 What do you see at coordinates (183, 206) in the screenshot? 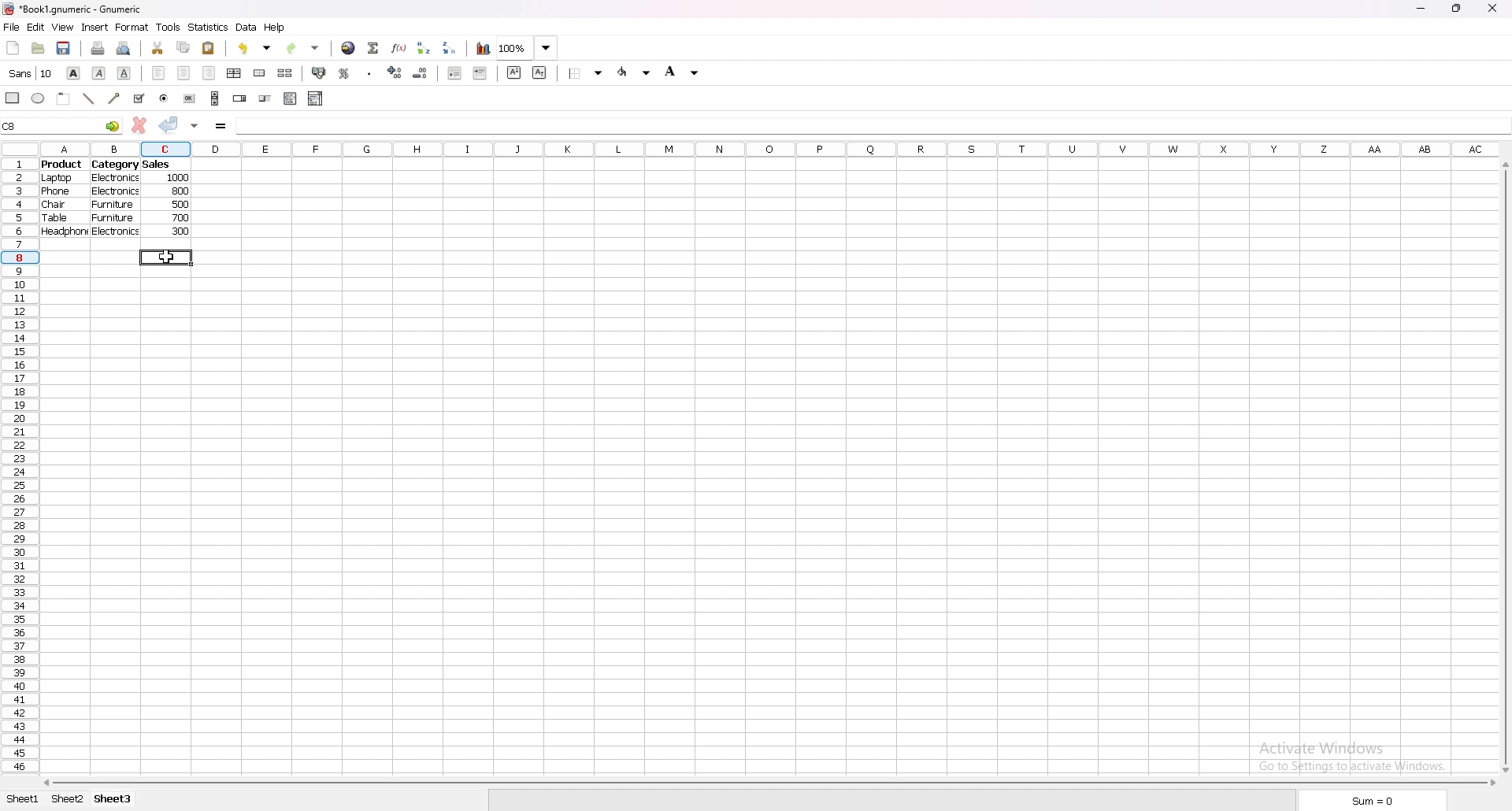
I see `500` at bounding box center [183, 206].